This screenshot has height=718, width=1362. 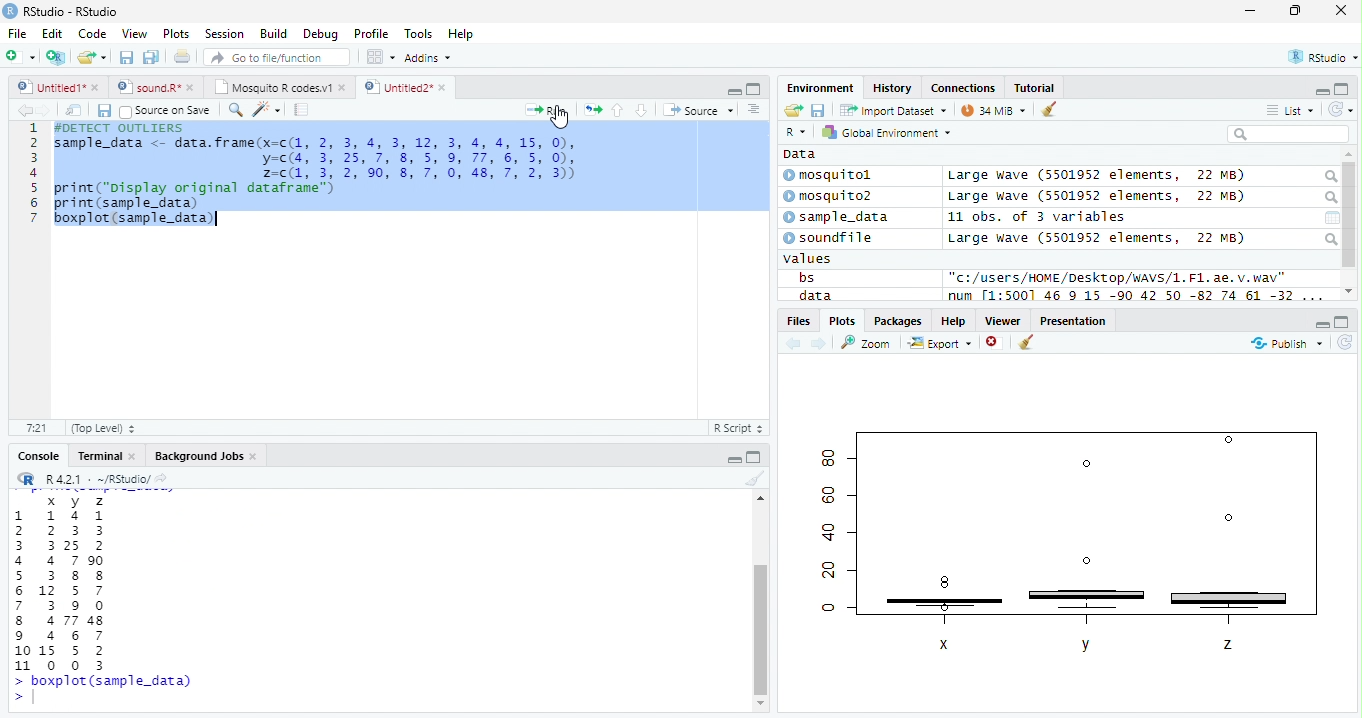 I want to click on Profile, so click(x=371, y=33).